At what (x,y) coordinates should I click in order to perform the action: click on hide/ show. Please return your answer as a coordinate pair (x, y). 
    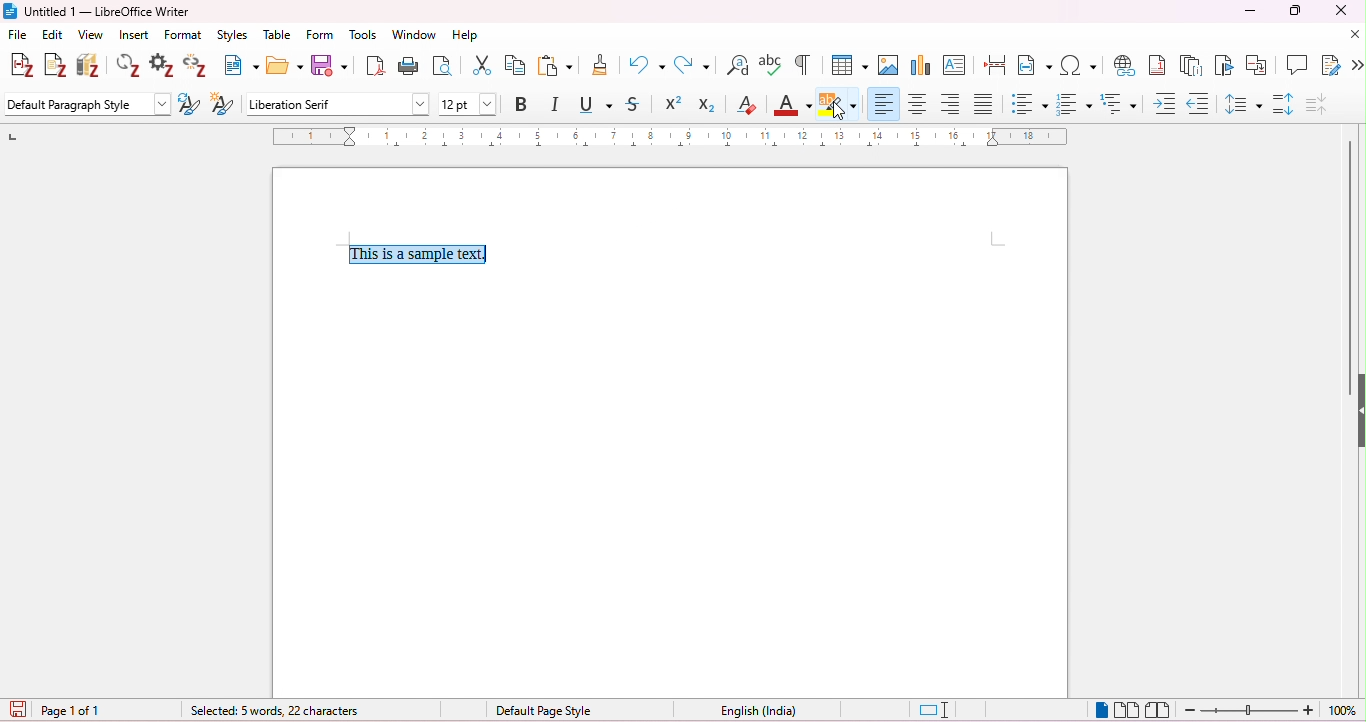
    Looking at the image, I should click on (1357, 412).